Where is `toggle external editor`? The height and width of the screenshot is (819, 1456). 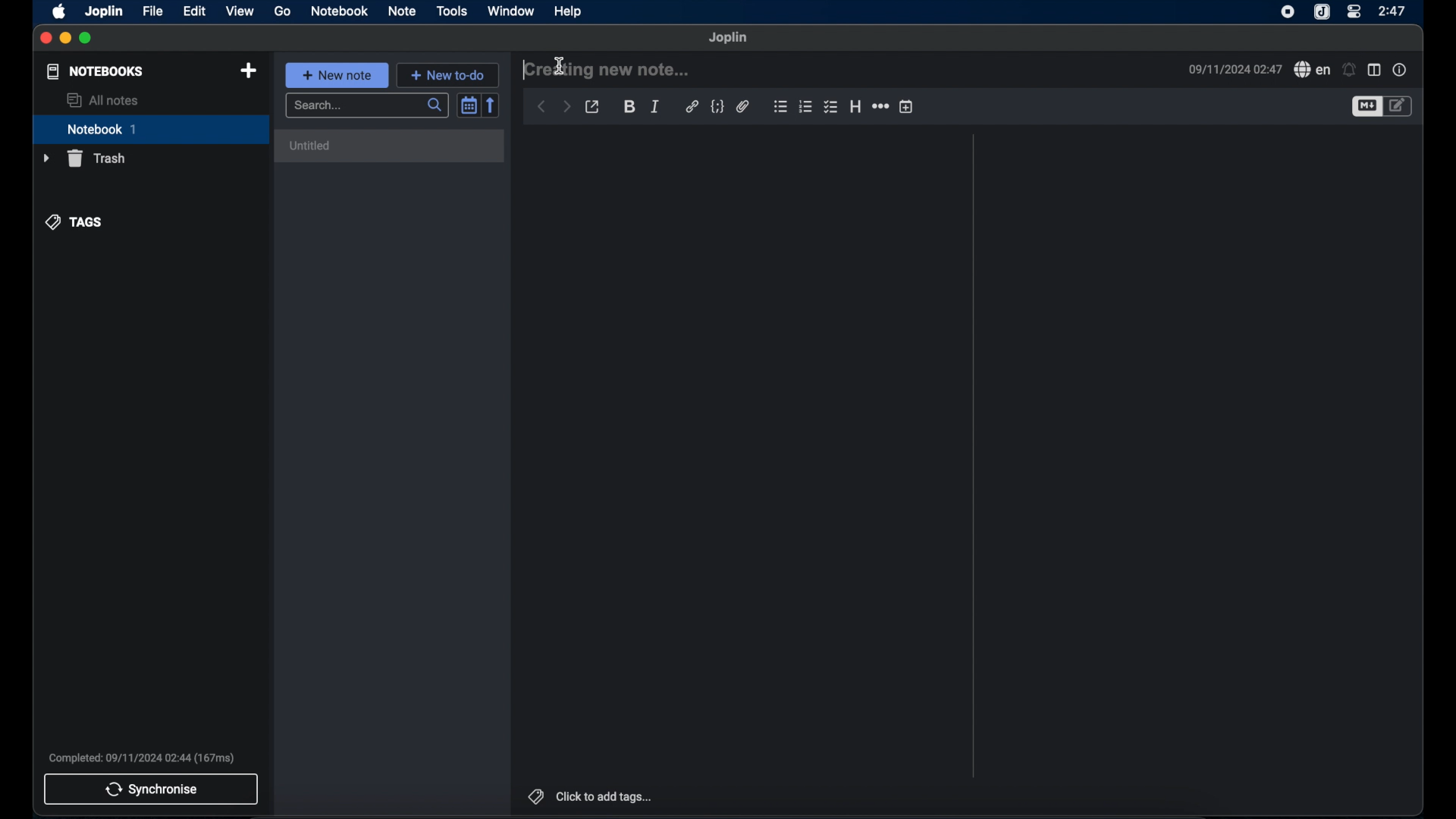 toggle external editor is located at coordinates (592, 108).